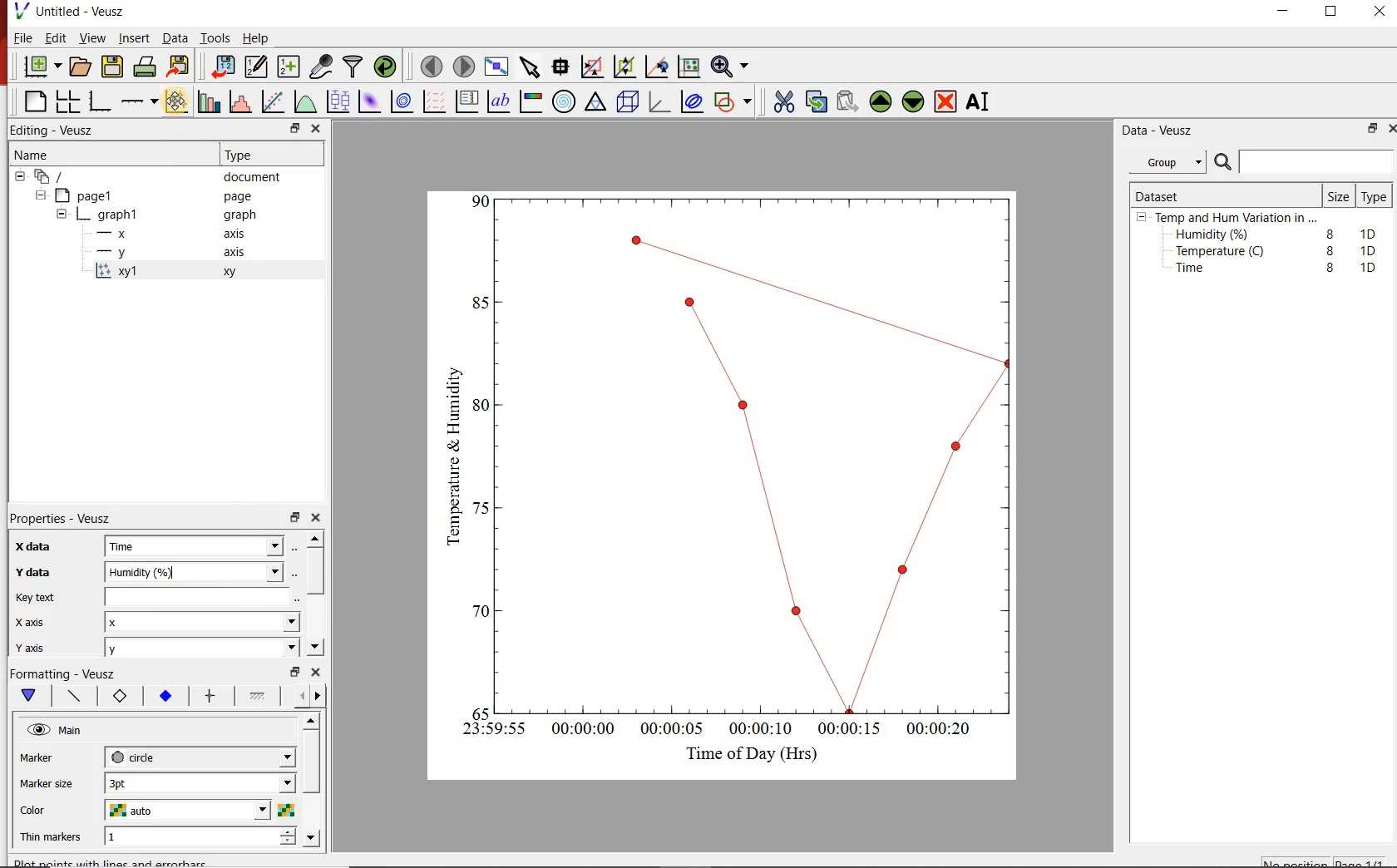 This screenshot has width=1397, height=868. What do you see at coordinates (1327, 249) in the screenshot?
I see `8` at bounding box center [1327, 249].